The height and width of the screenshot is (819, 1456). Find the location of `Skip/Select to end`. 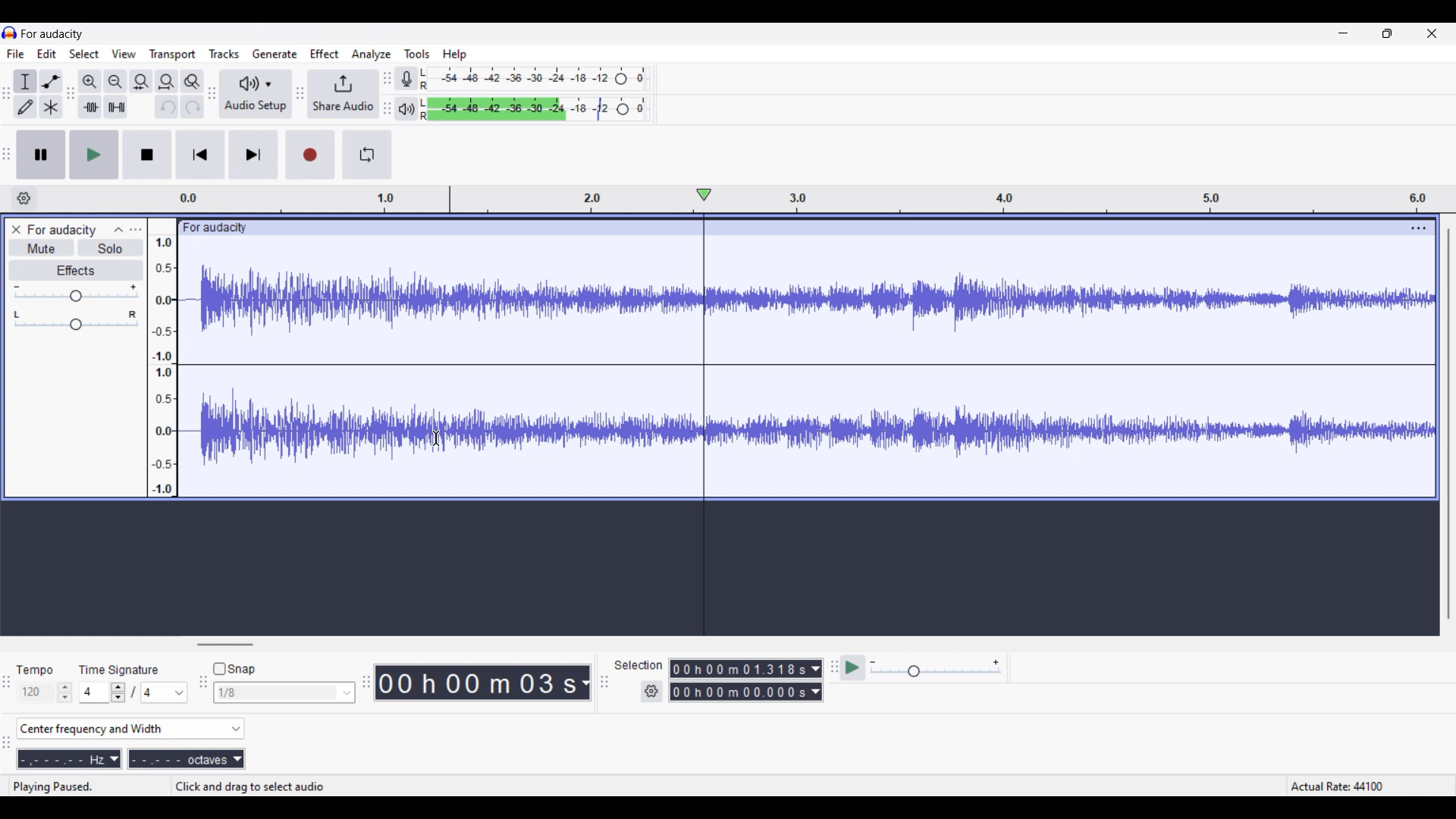

Skip/Select to end is located at coordinates (253, 155).